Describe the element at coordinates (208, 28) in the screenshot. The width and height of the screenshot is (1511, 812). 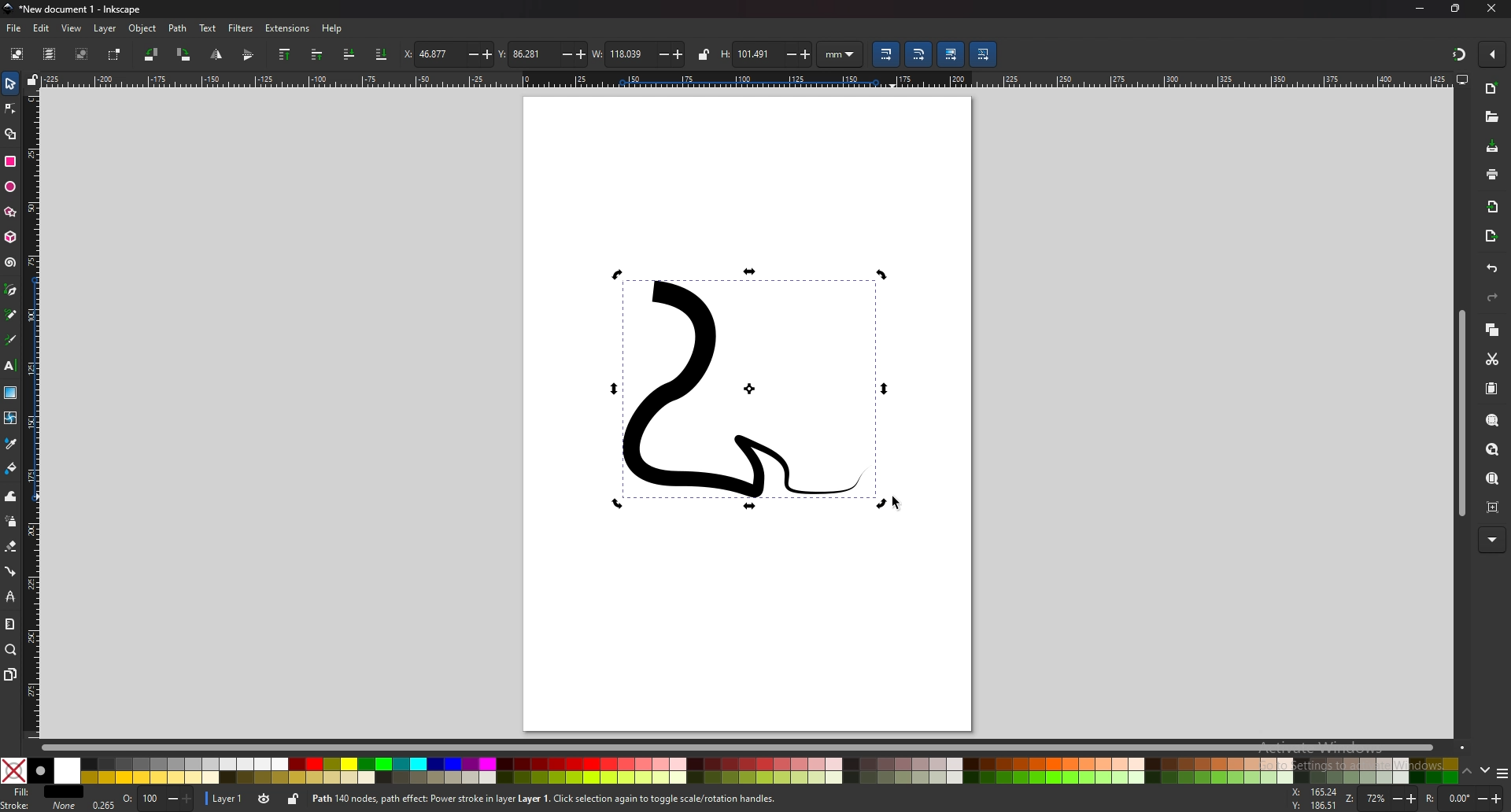
I see `text` at that location.